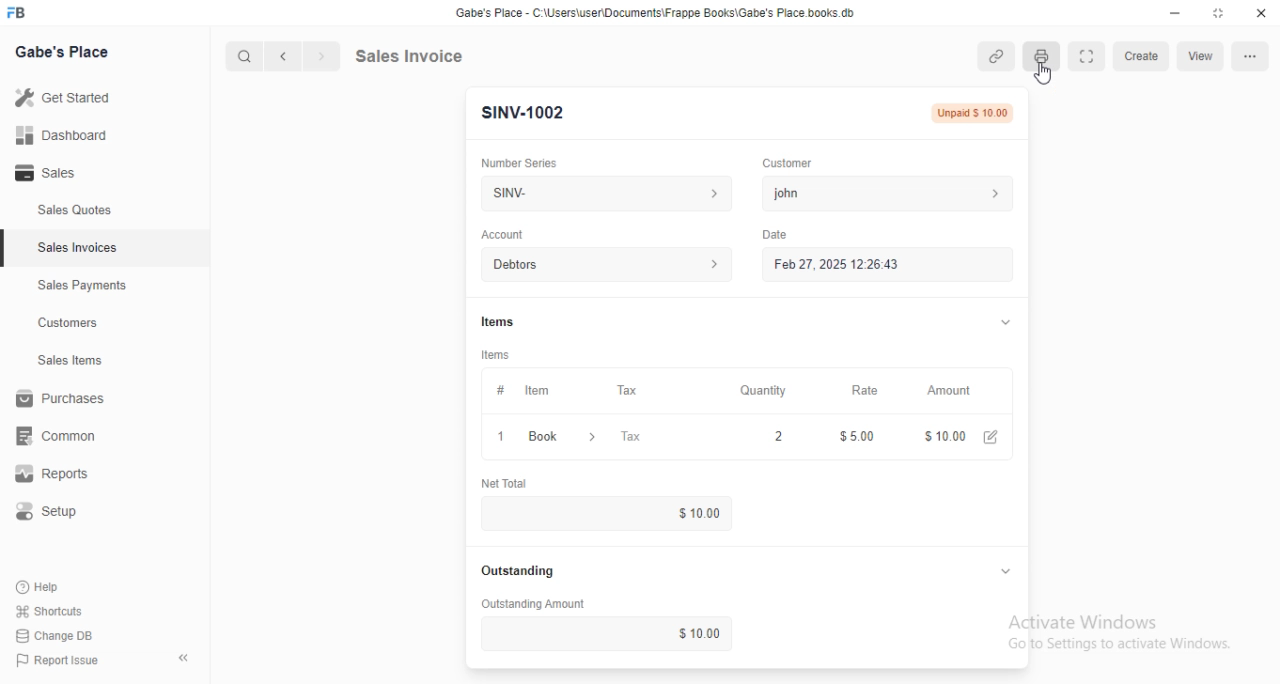  I want to click on previous, so click(283, 56).